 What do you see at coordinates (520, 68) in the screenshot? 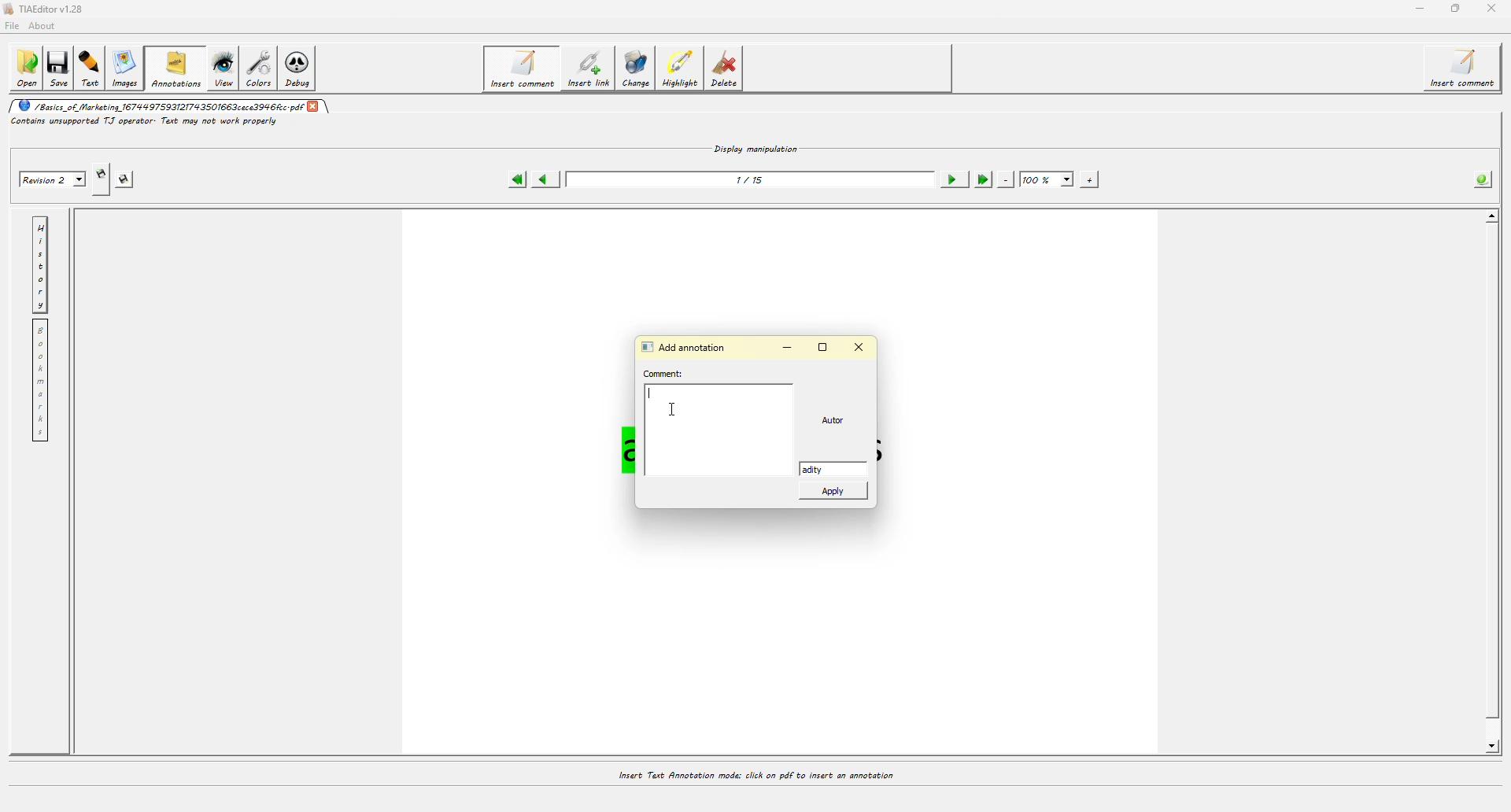
I see `insert comment` at bounding box center [520, 68].